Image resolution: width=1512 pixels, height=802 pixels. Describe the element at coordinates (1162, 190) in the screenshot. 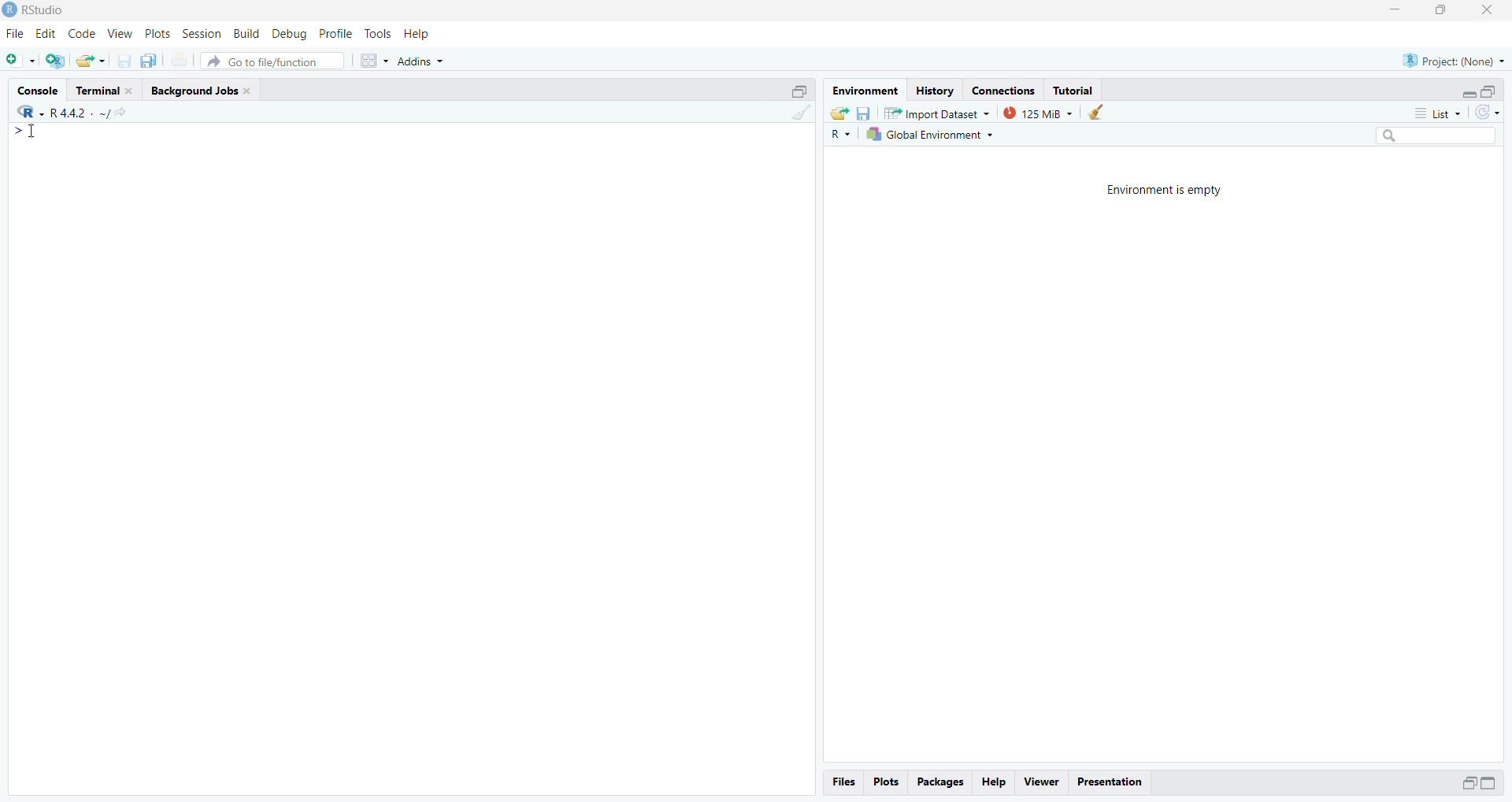

I see `Environment is empty` at that location.